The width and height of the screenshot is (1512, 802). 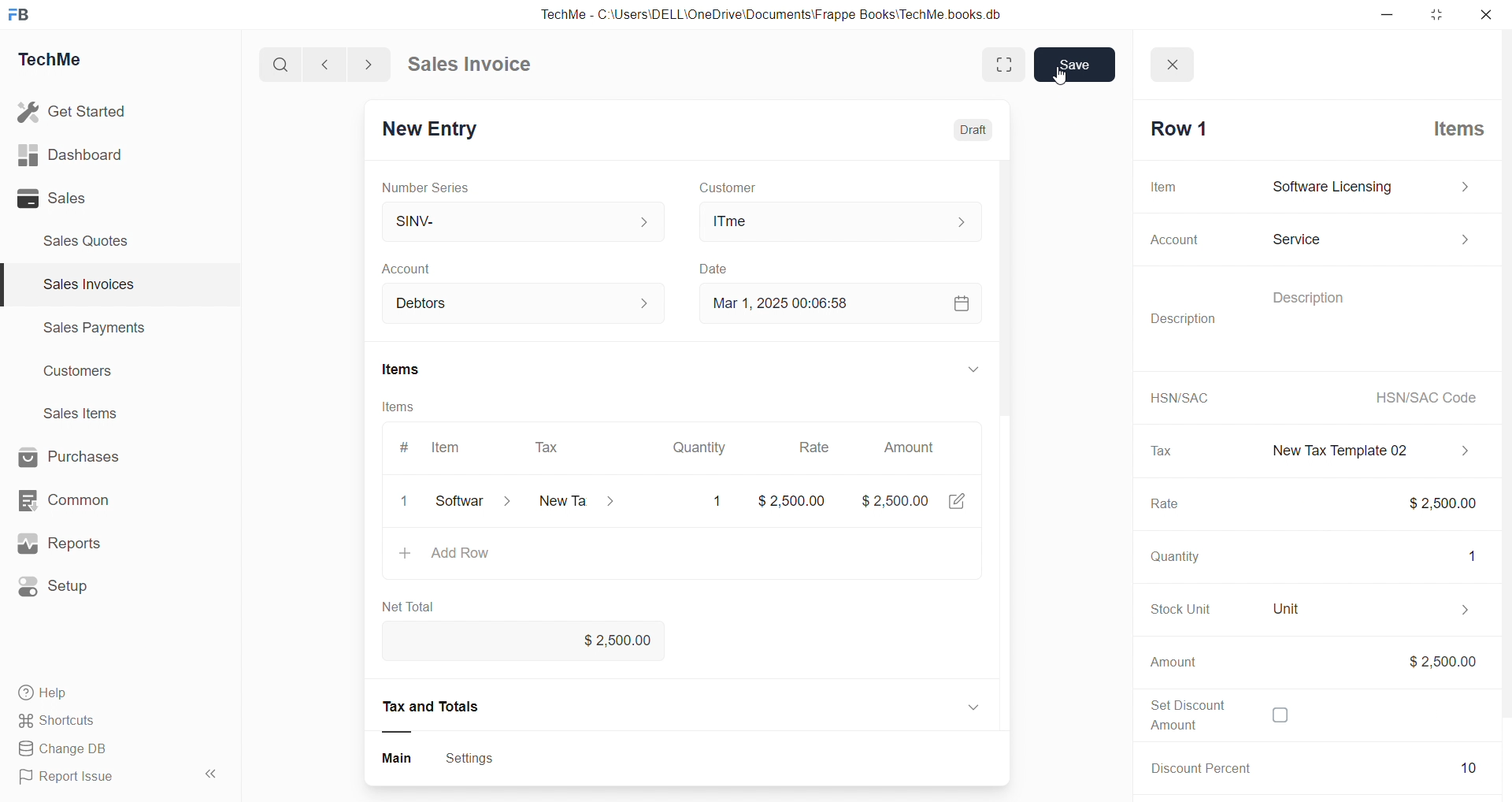 What do you see at coordinates (699, 443) in the screenshot?
I see `Quantity` at bounding box center [699, 443].